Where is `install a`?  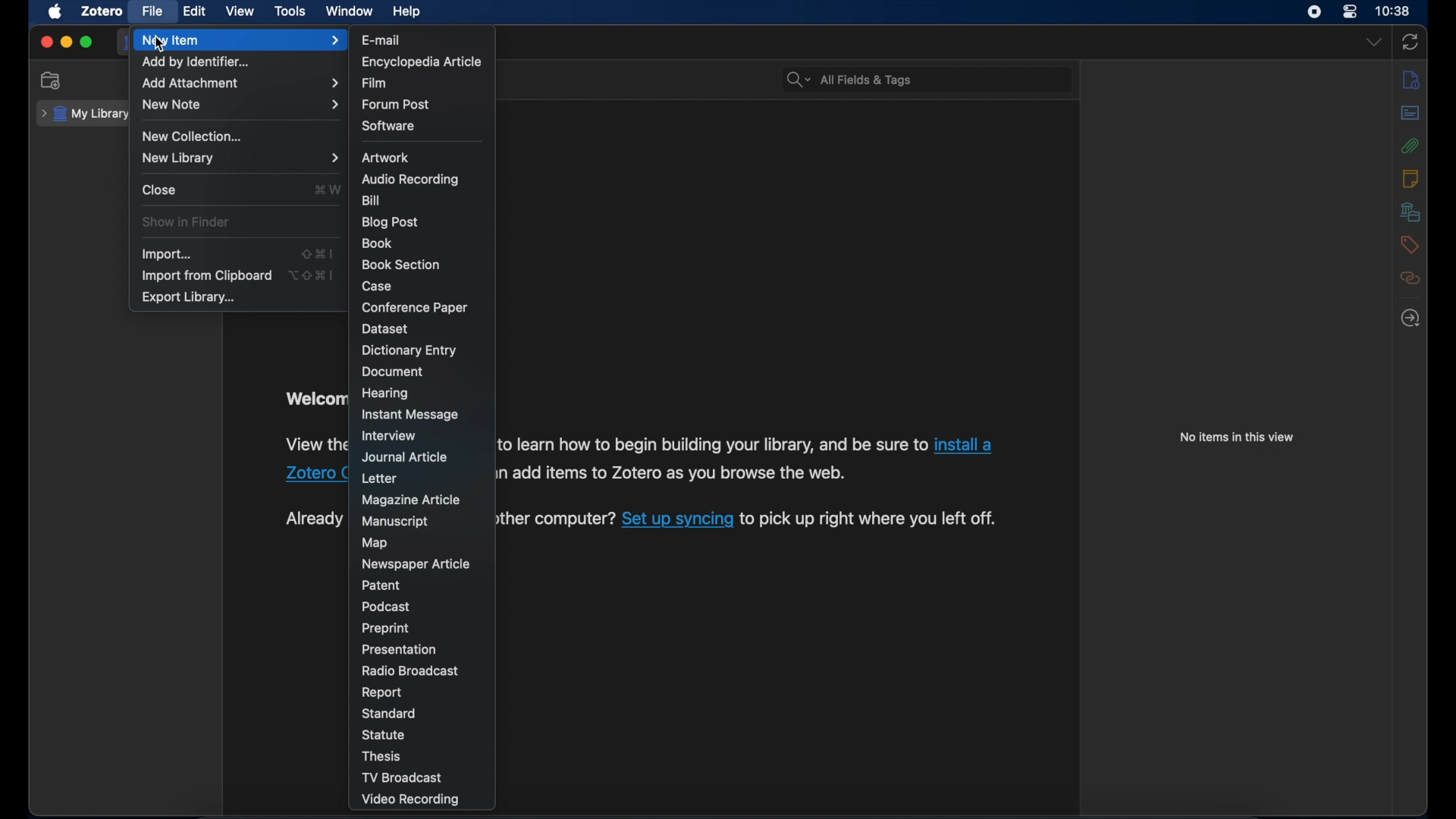 install a is located at coordinates (965, 446).